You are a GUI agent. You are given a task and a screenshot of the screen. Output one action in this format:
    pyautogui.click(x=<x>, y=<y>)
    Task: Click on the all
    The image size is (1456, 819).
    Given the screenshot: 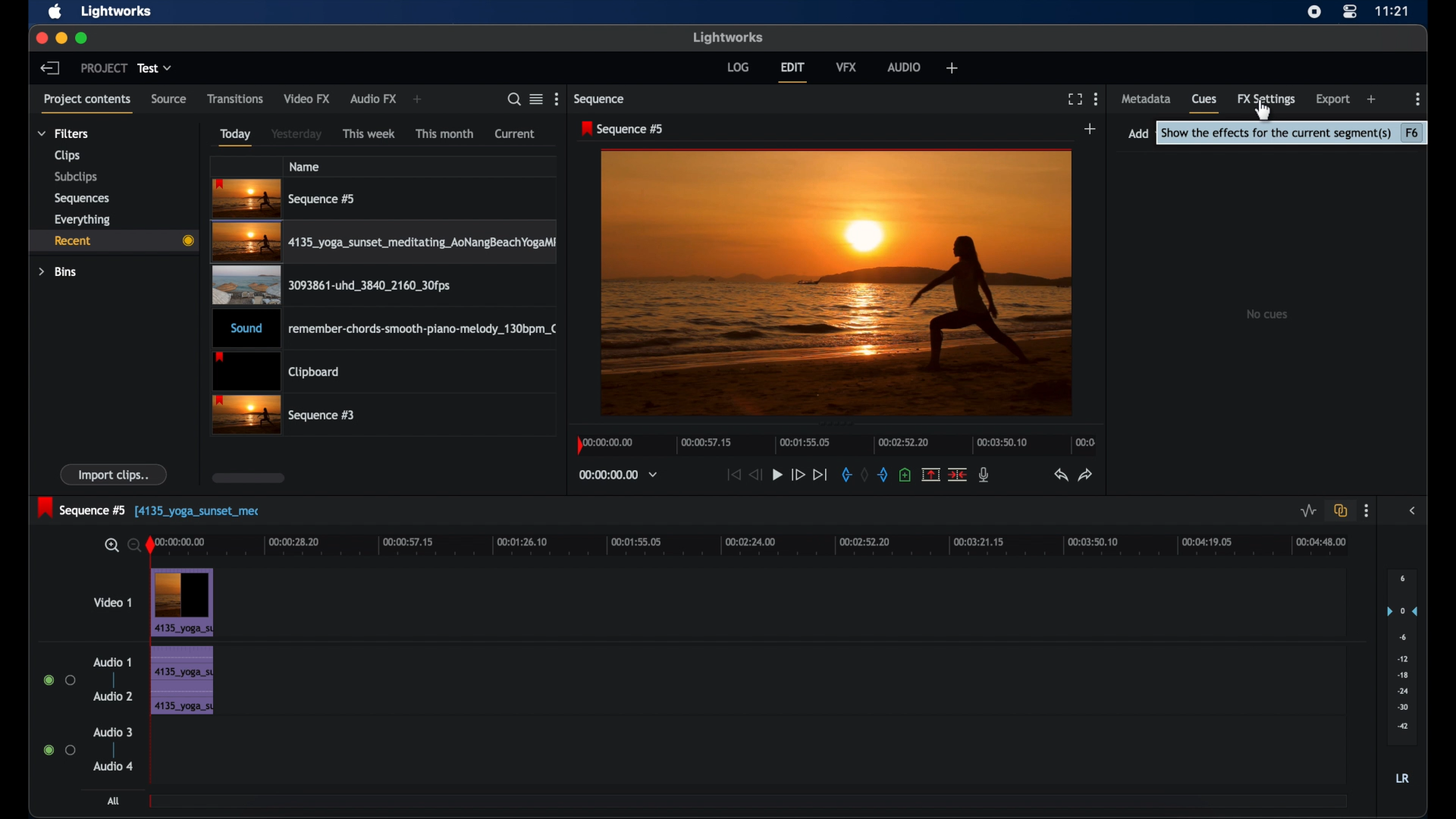 What is the action you would take?
    pyautogui.click(x=115, y=801)
    